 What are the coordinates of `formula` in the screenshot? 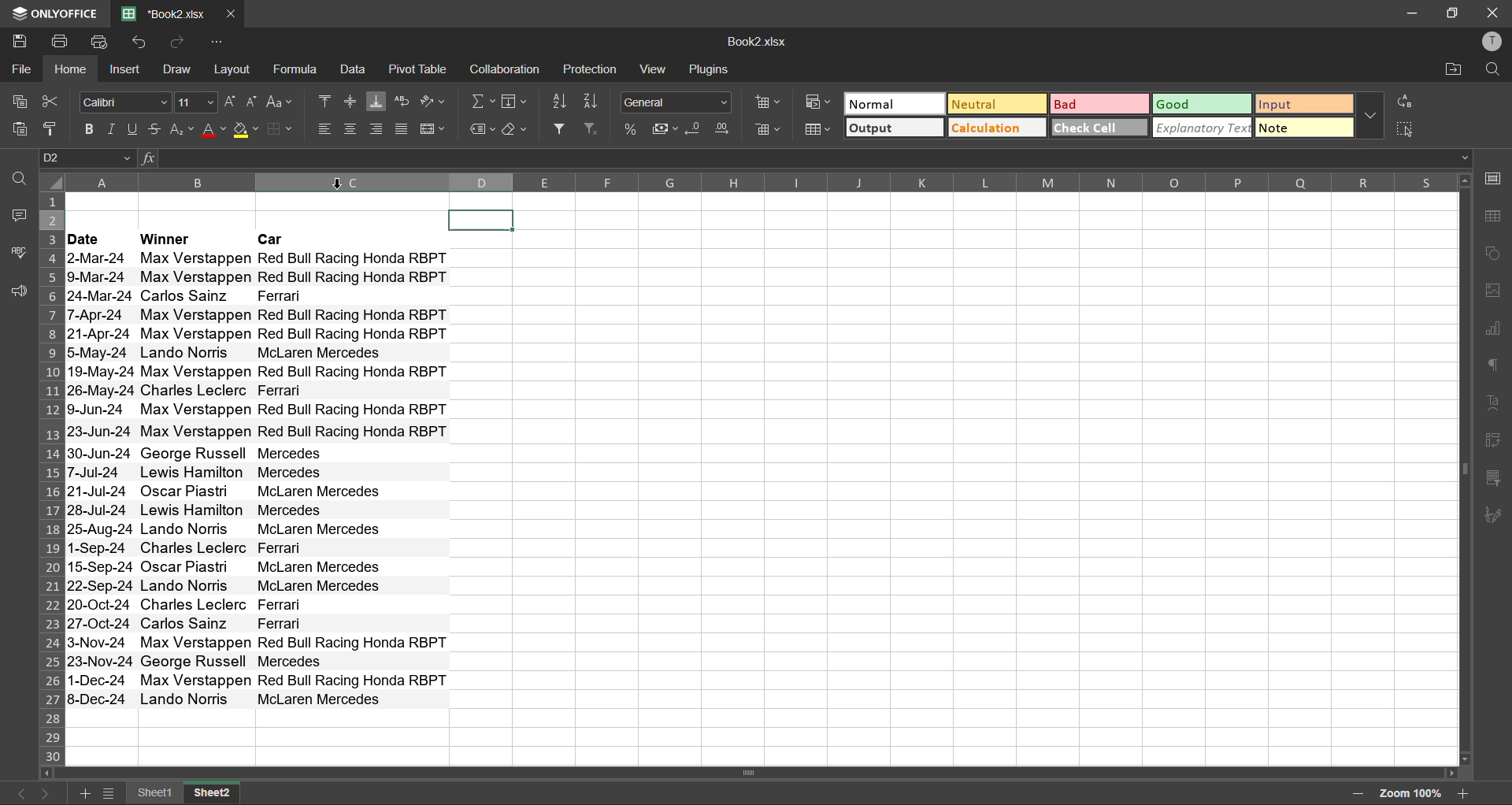 It's located at (302, 70).